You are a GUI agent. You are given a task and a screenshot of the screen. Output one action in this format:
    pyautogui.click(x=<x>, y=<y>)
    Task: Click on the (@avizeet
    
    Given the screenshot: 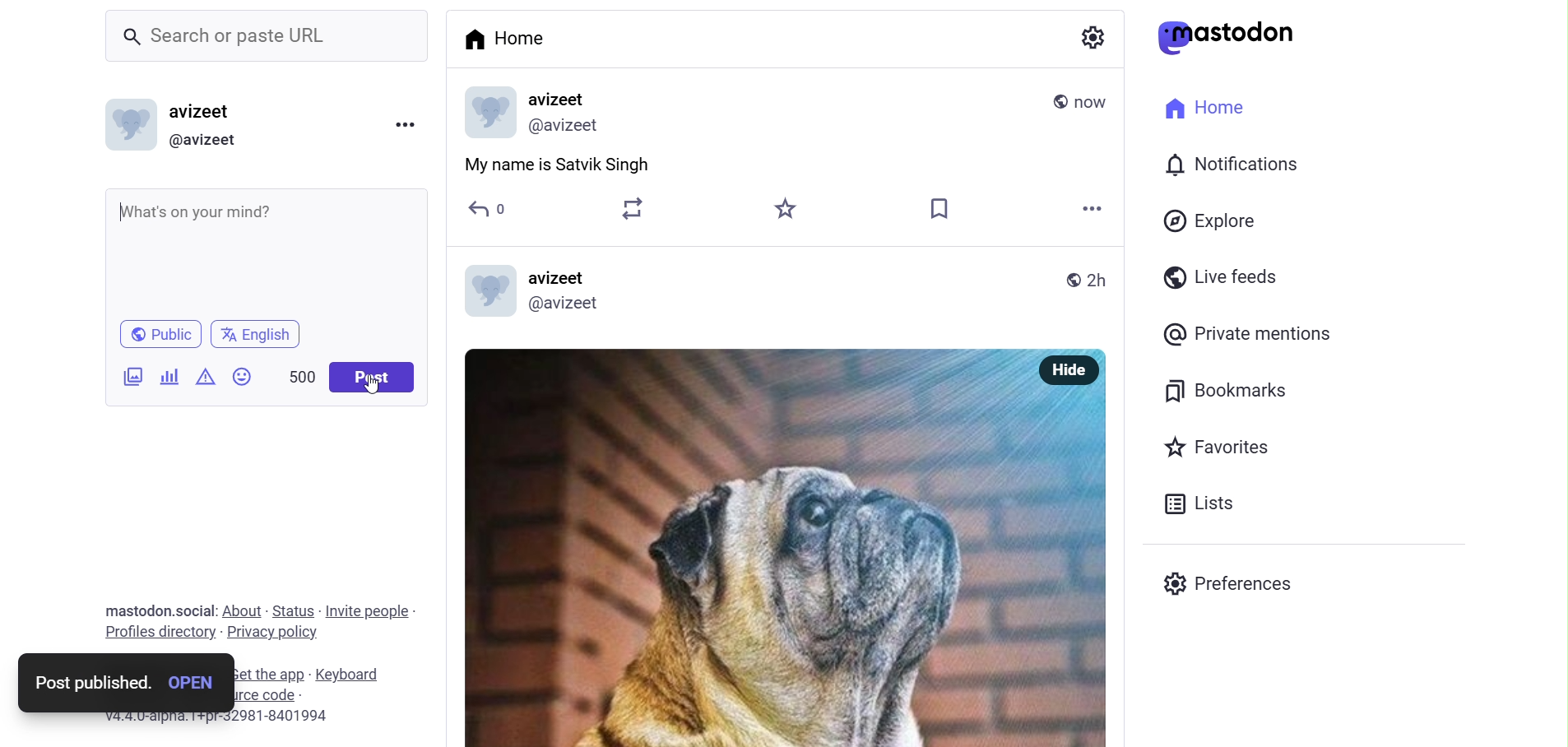 What is the action you would take?
    pyautogui.click(x=570, y=304)
    